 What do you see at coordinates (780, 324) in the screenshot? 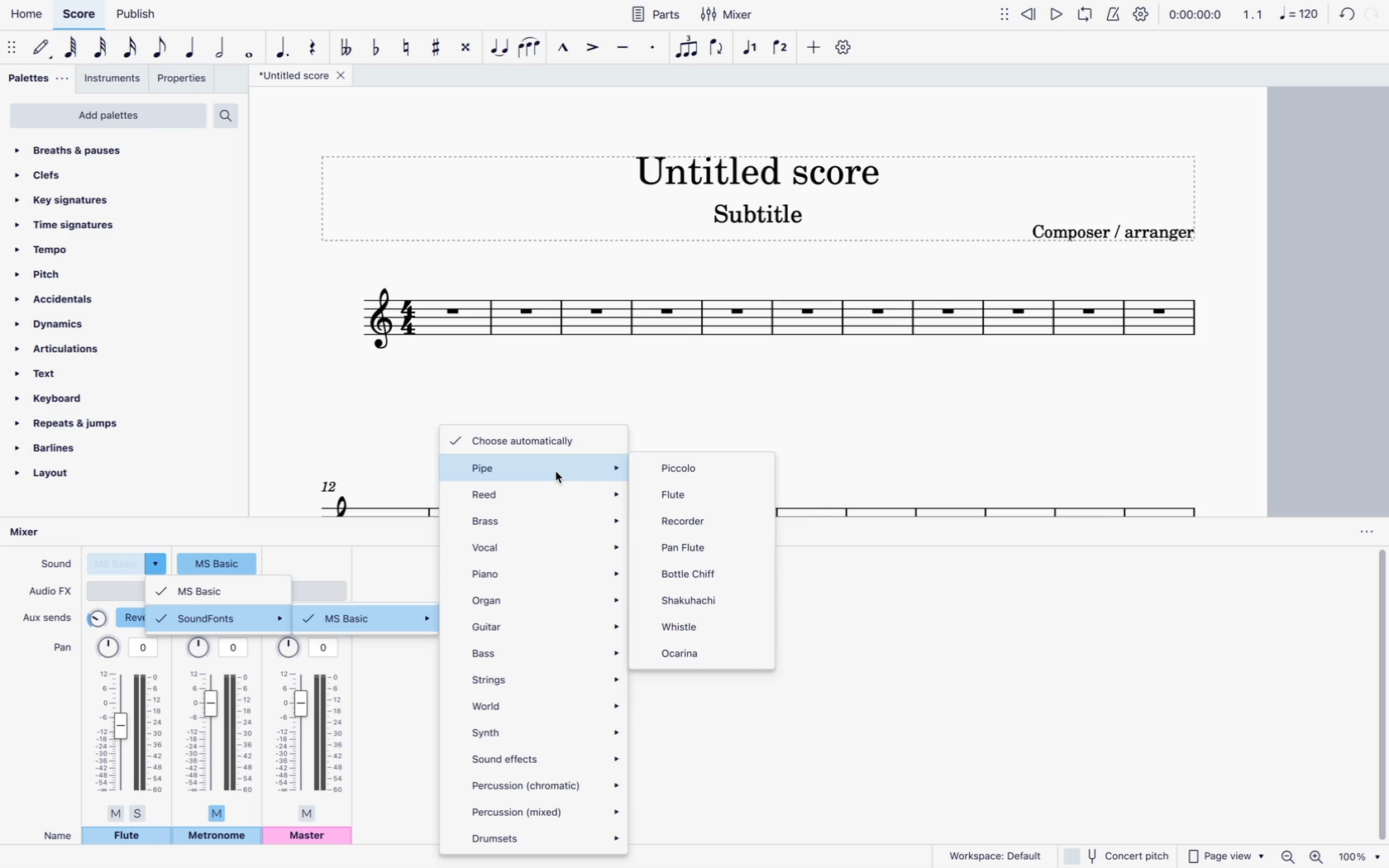
I see `scale` at bounding box center [780, 324].